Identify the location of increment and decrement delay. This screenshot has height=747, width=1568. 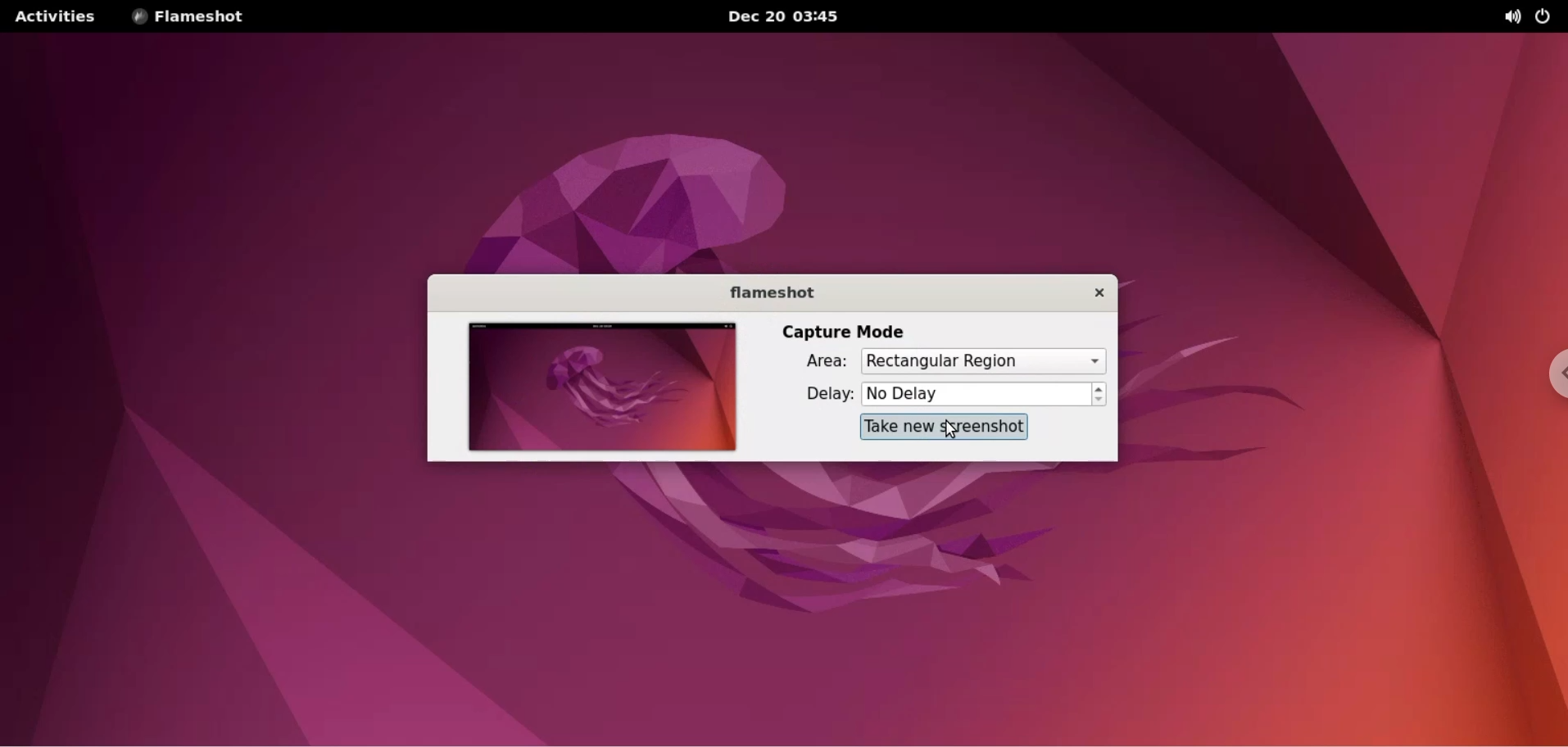
(1102, 395).